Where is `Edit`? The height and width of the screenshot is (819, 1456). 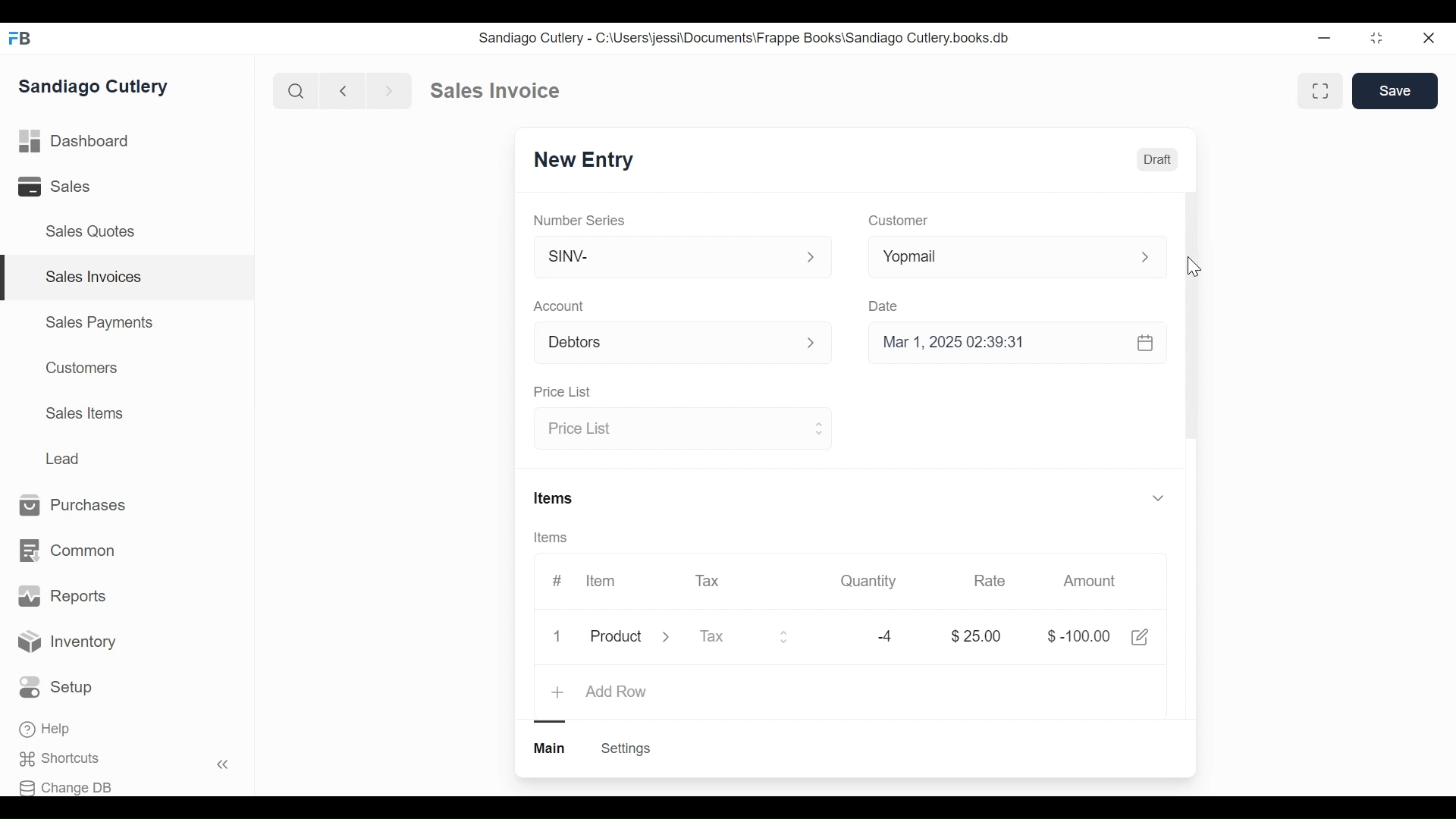
Edit is located at coordinates (1139, 637).